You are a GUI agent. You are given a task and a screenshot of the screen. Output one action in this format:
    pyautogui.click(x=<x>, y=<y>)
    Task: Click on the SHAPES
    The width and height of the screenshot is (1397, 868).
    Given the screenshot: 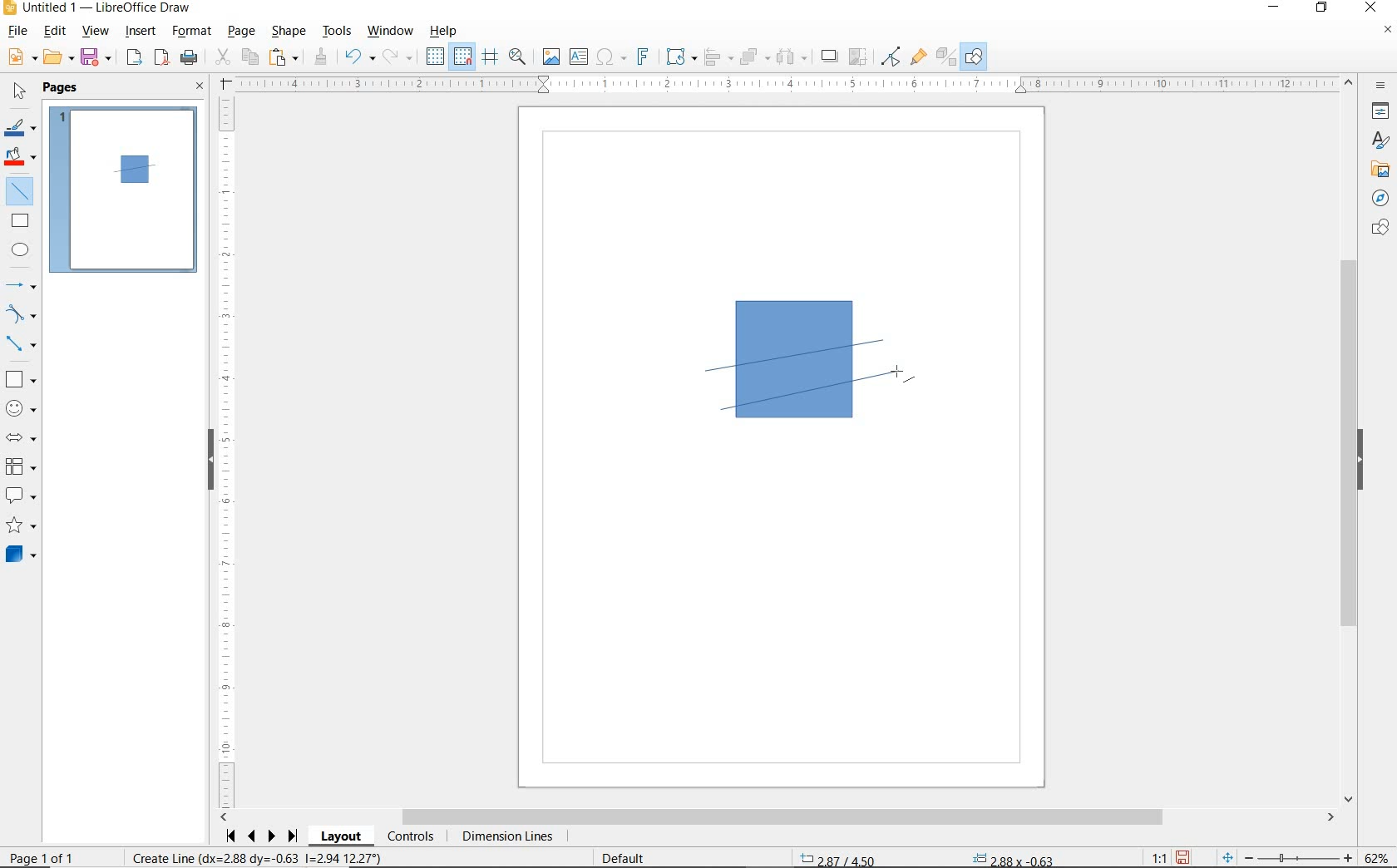 What is the action you would take?
    pyautogui.click(x=1378, y=229)
    